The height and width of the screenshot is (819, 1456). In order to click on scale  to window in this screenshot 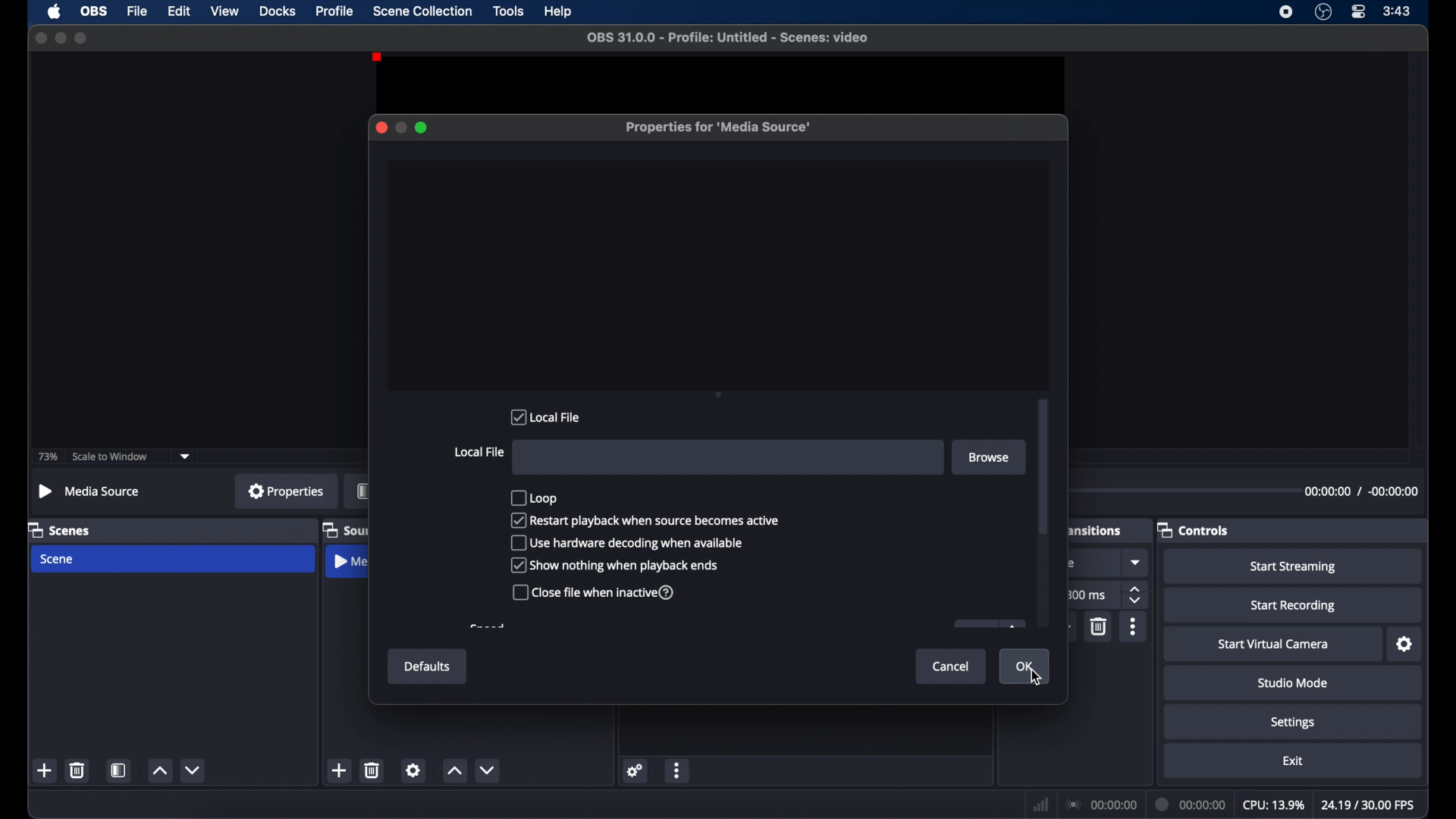, I will do `click(110, 457)`.